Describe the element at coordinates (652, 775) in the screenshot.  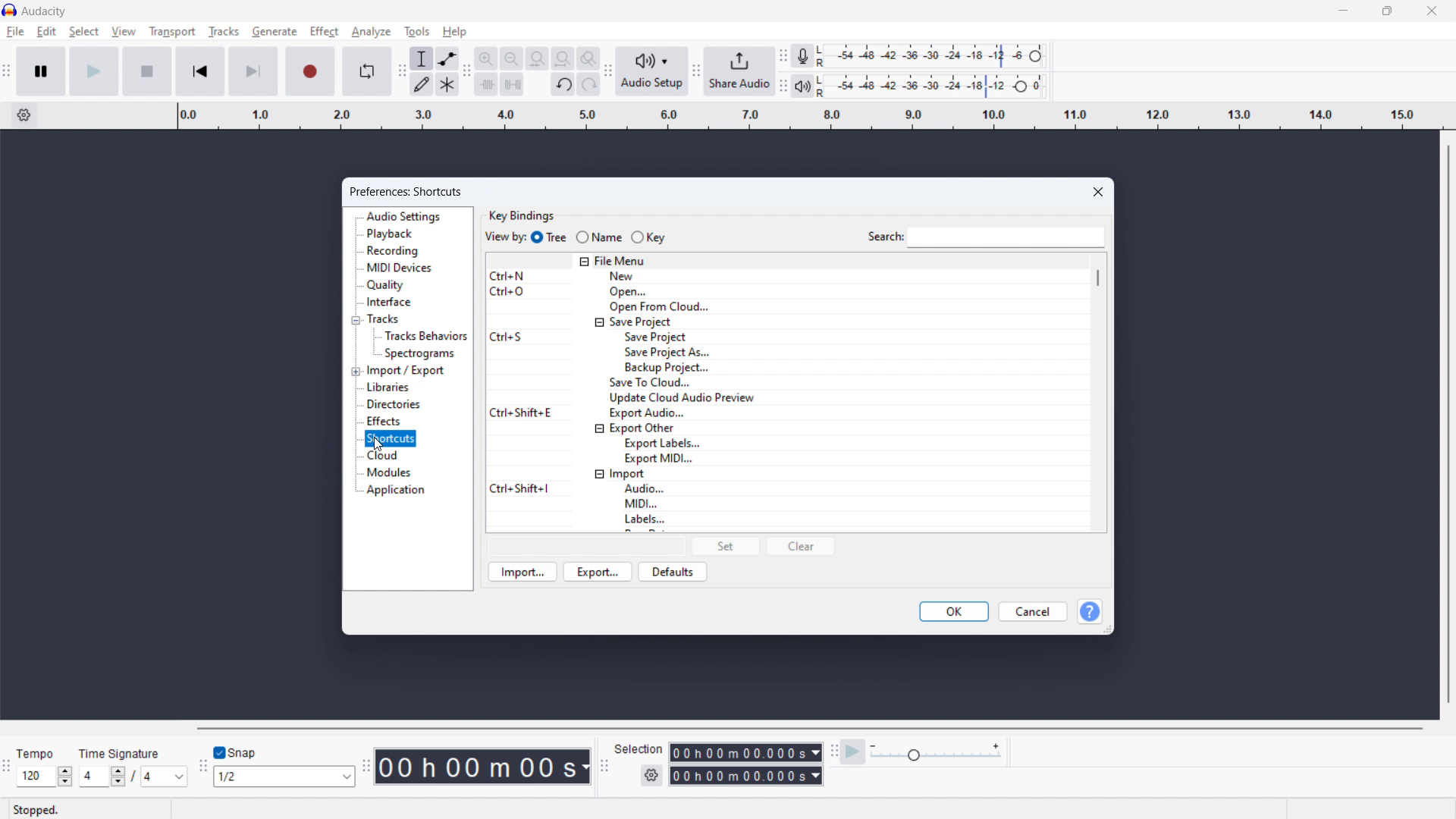
I see `selection settings` at that location.